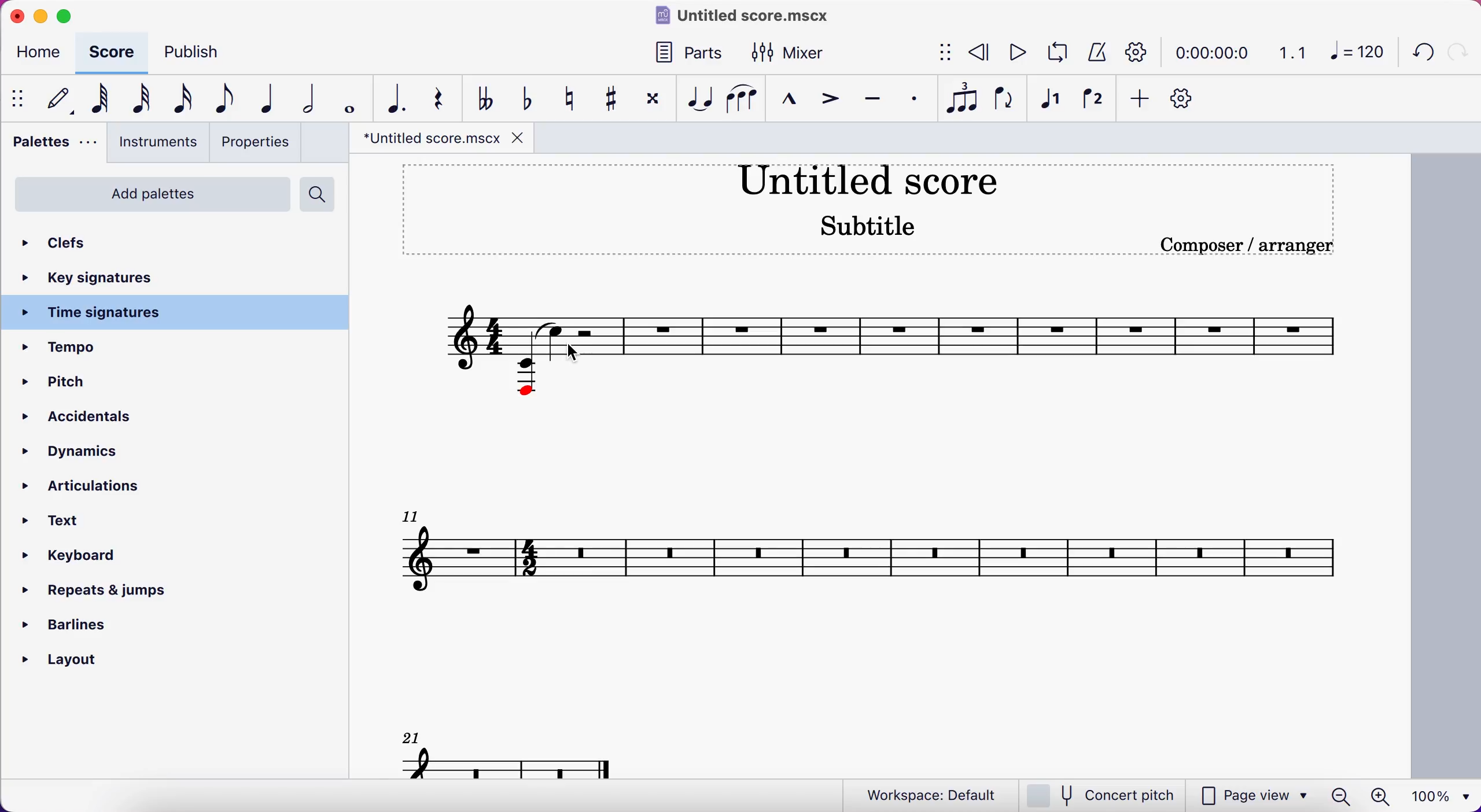 The height and width of the screenshot is (812, 1481). What do you see at coordinates (1252, 795) in the screenshot?
I see `page view` at bounding box center [1252, 795].